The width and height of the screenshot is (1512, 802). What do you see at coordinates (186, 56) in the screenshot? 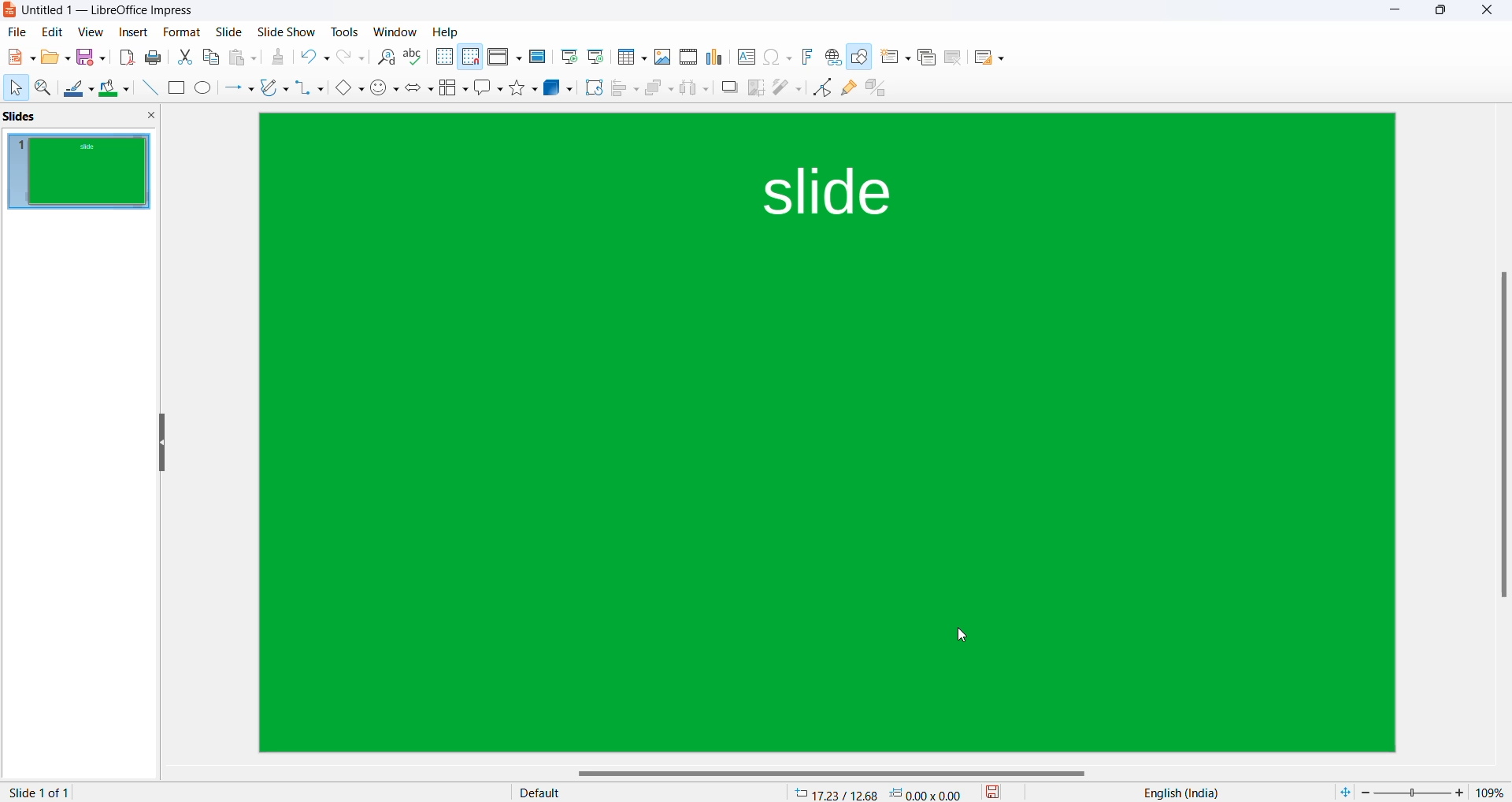
I see `cut` at bounding box center [186, 56].